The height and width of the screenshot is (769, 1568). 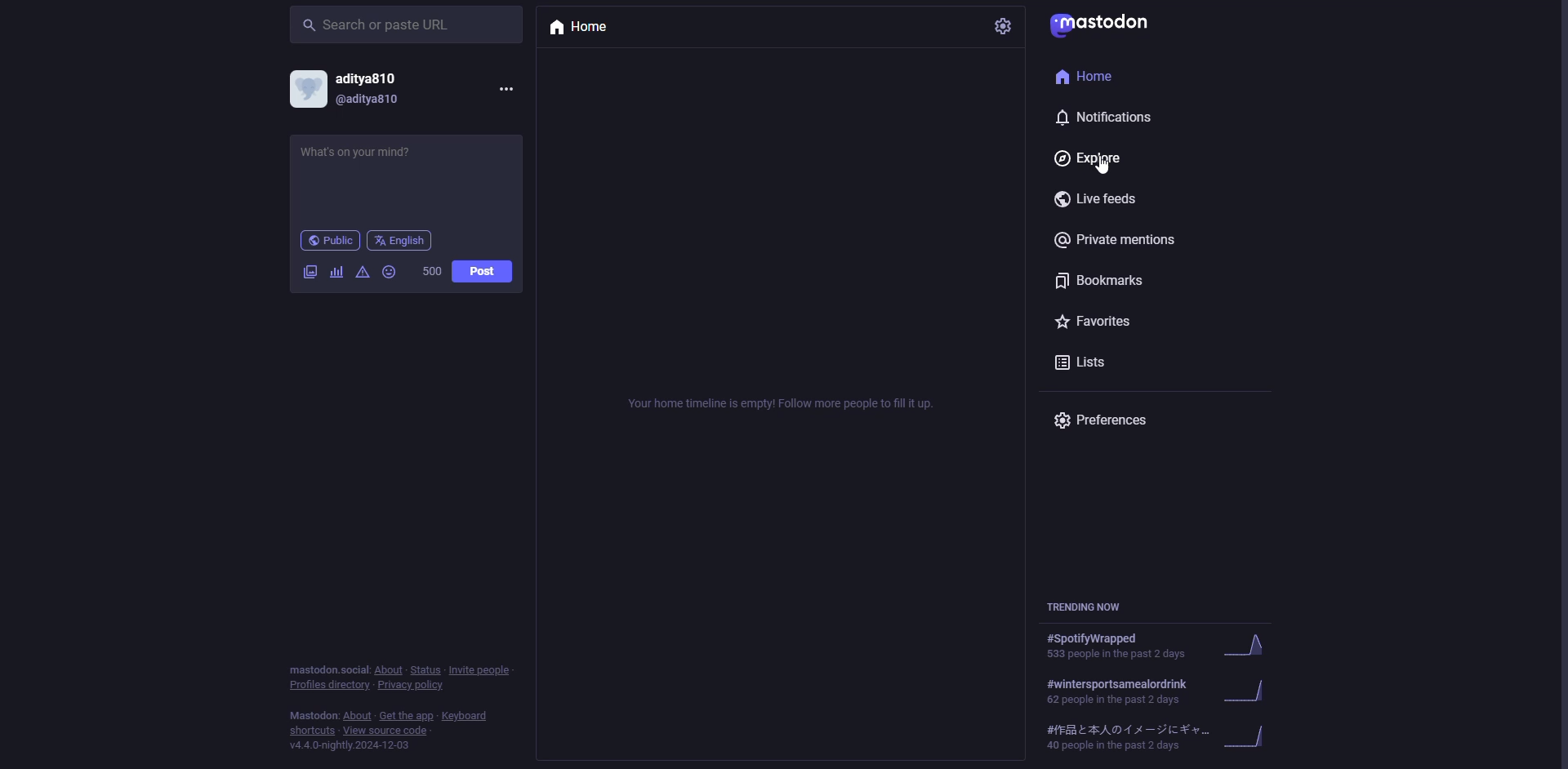 I want to click on public, so click(x=329, y=240).